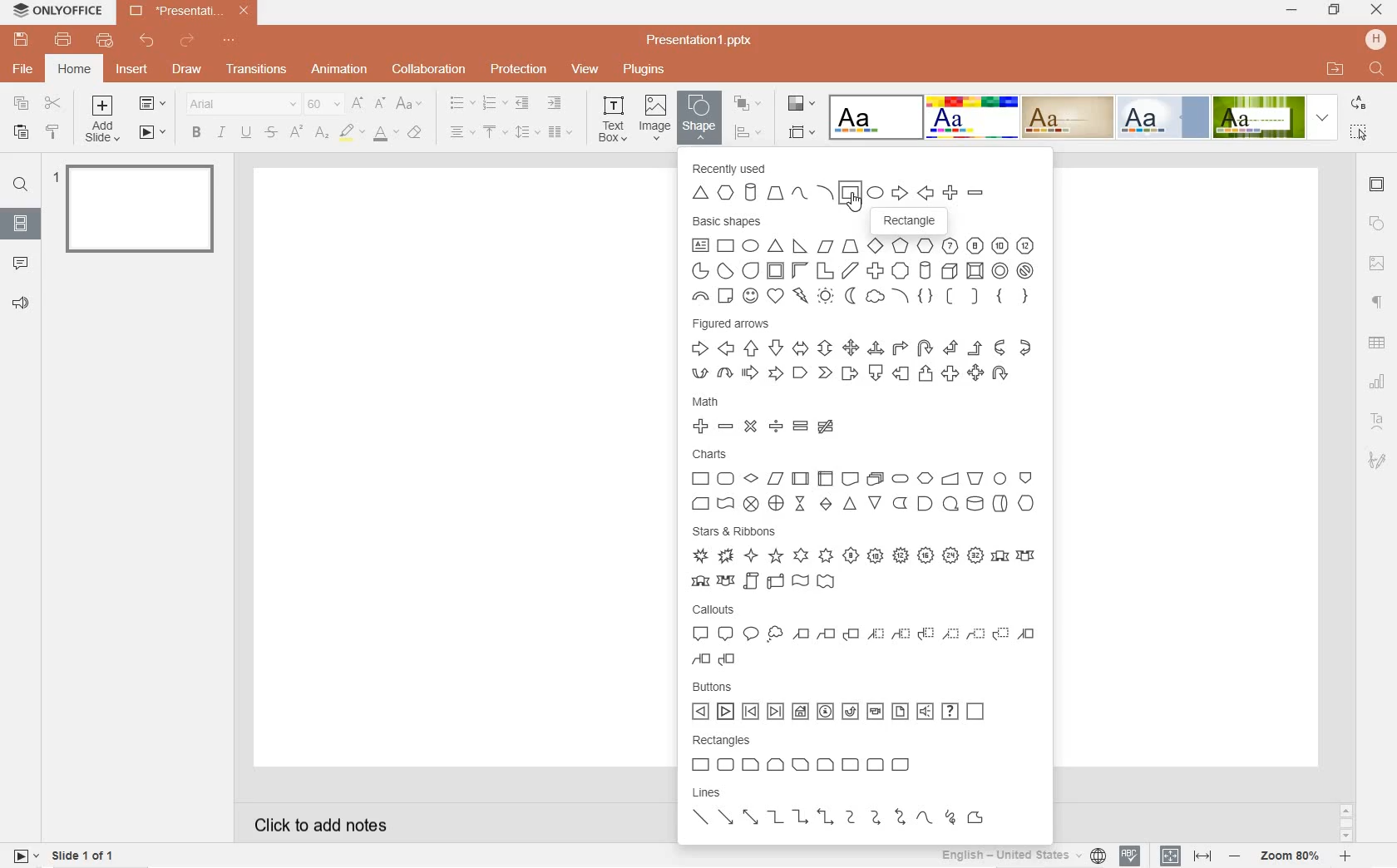 The width and height of the screenshot is (1397, 868). What do you see at coordinates (725, 246) in the screenshot?
I see `Rectangle` at bounding box center [725, 246].